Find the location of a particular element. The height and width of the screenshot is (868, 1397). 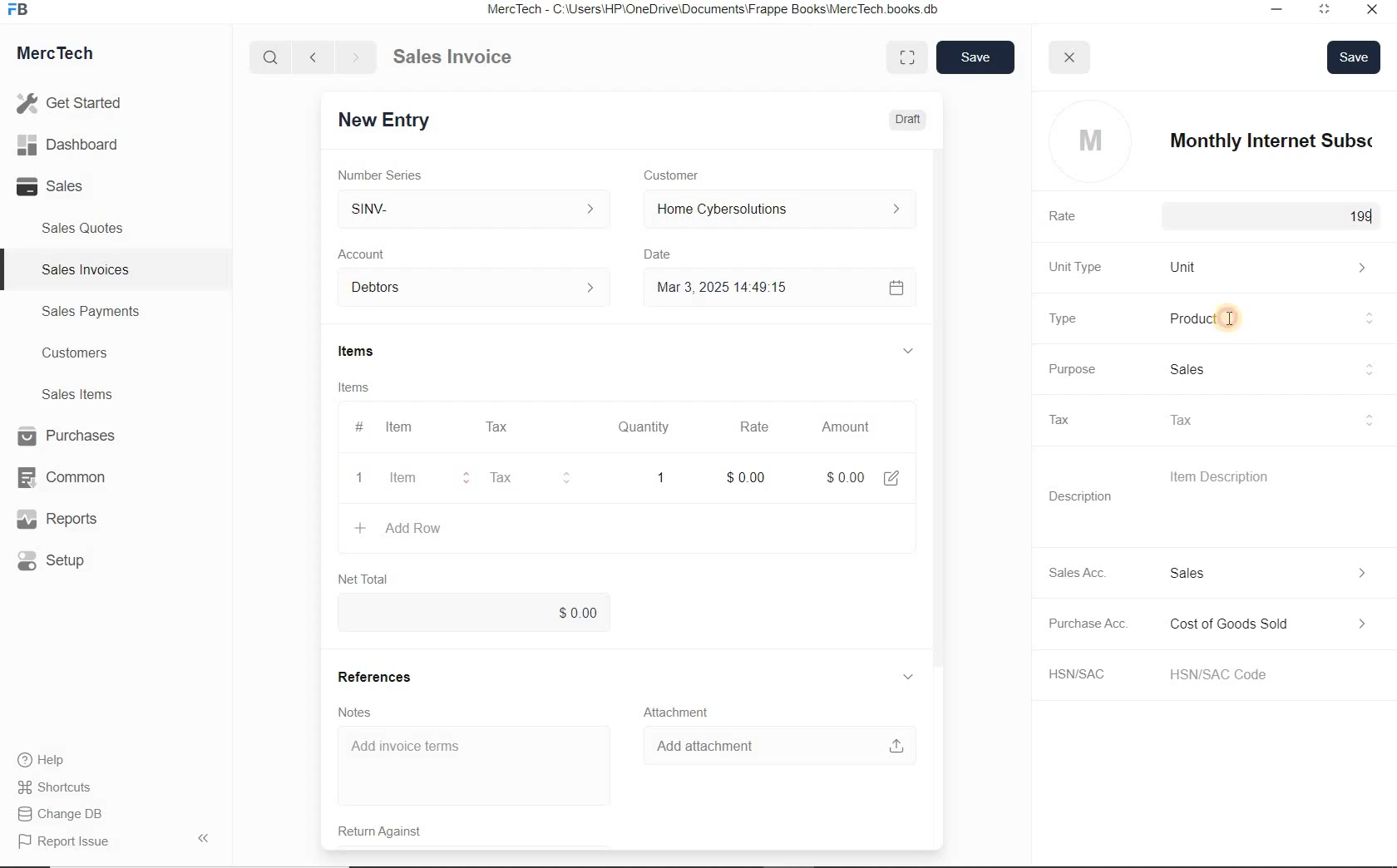

Account dropdown is located at coordinates (474, 289).